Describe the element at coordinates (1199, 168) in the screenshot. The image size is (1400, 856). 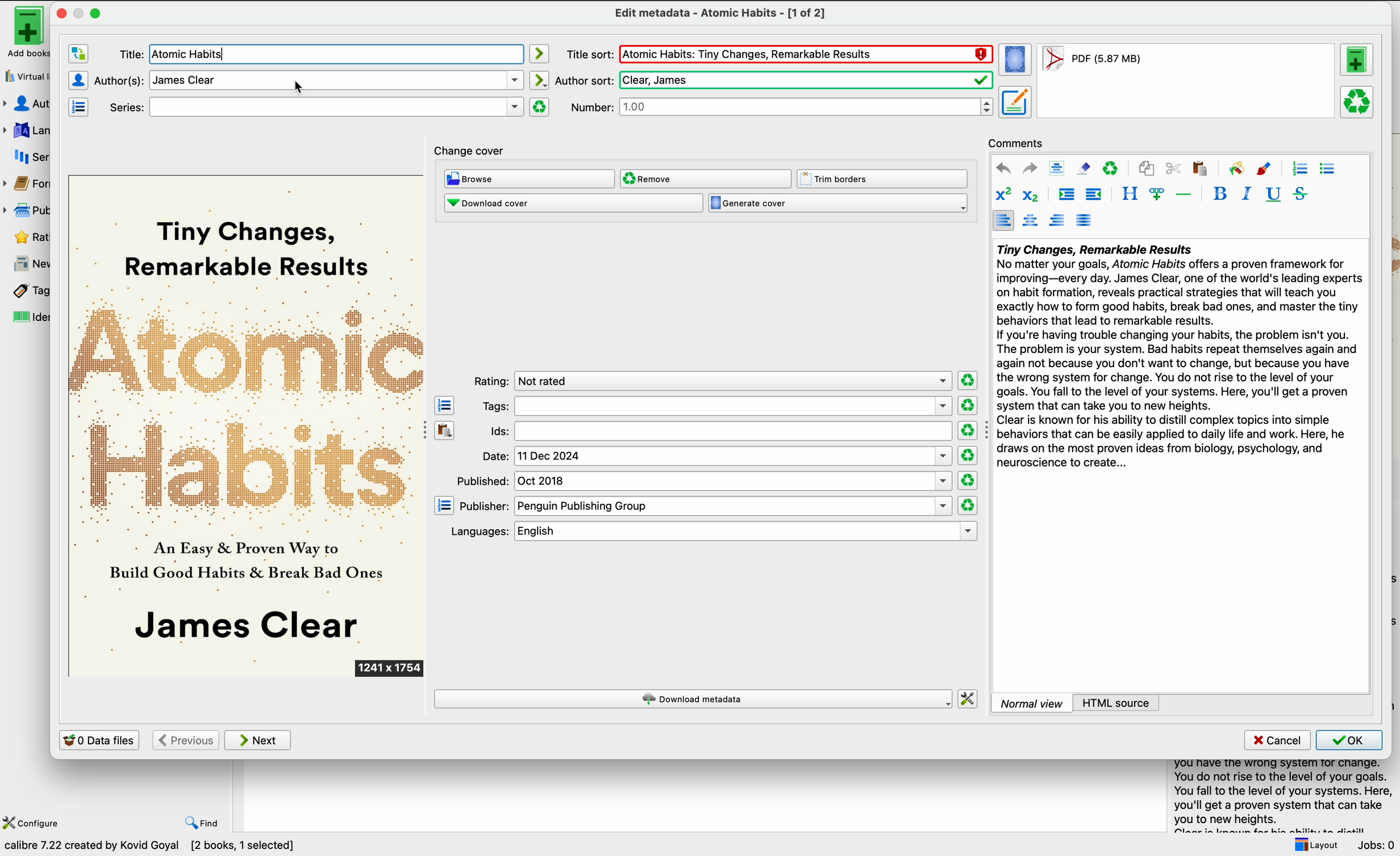
I see `paste` at that location.